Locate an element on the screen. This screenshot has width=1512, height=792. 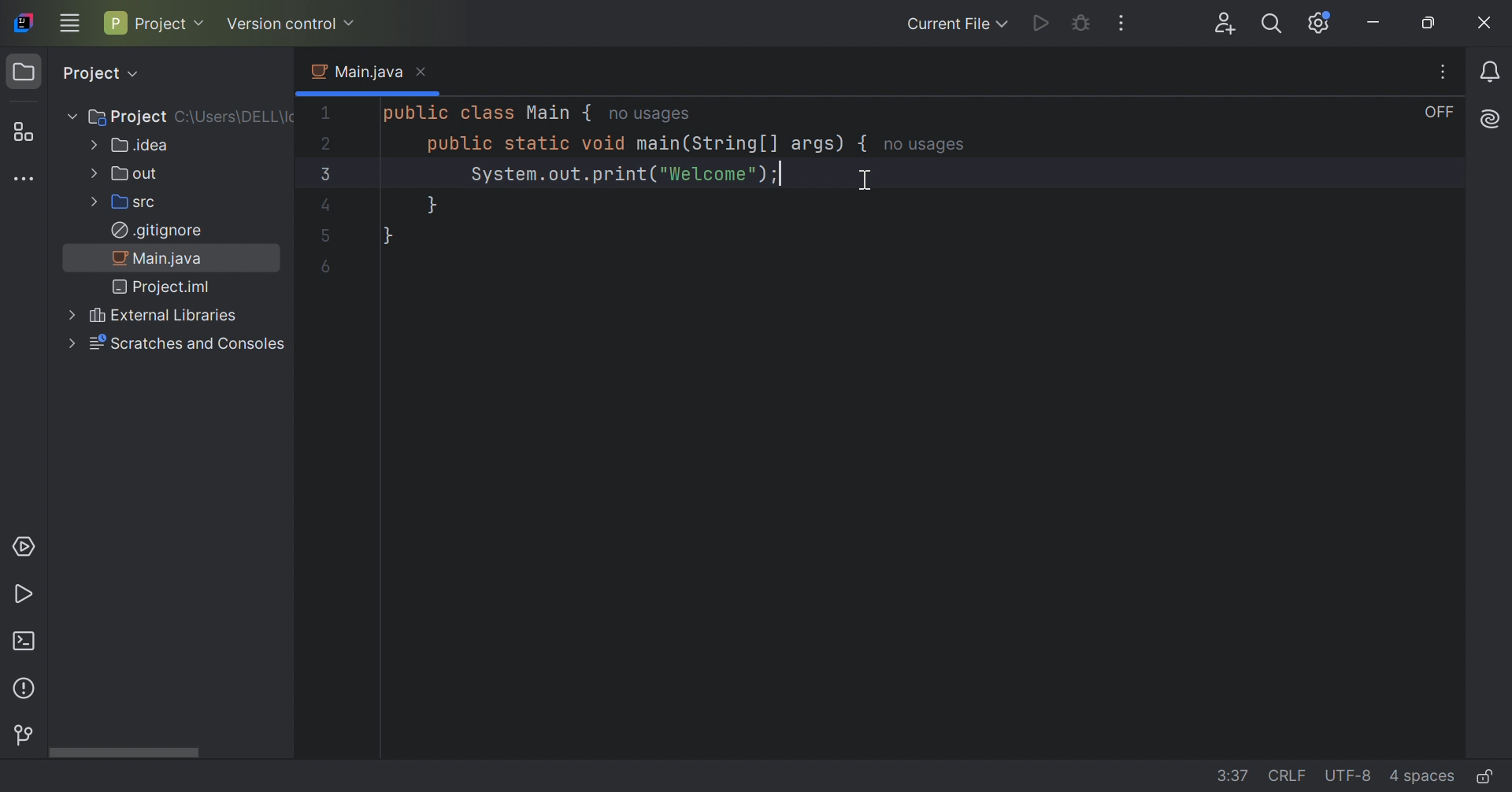
Minimize is located at coordinates (1377, 24).